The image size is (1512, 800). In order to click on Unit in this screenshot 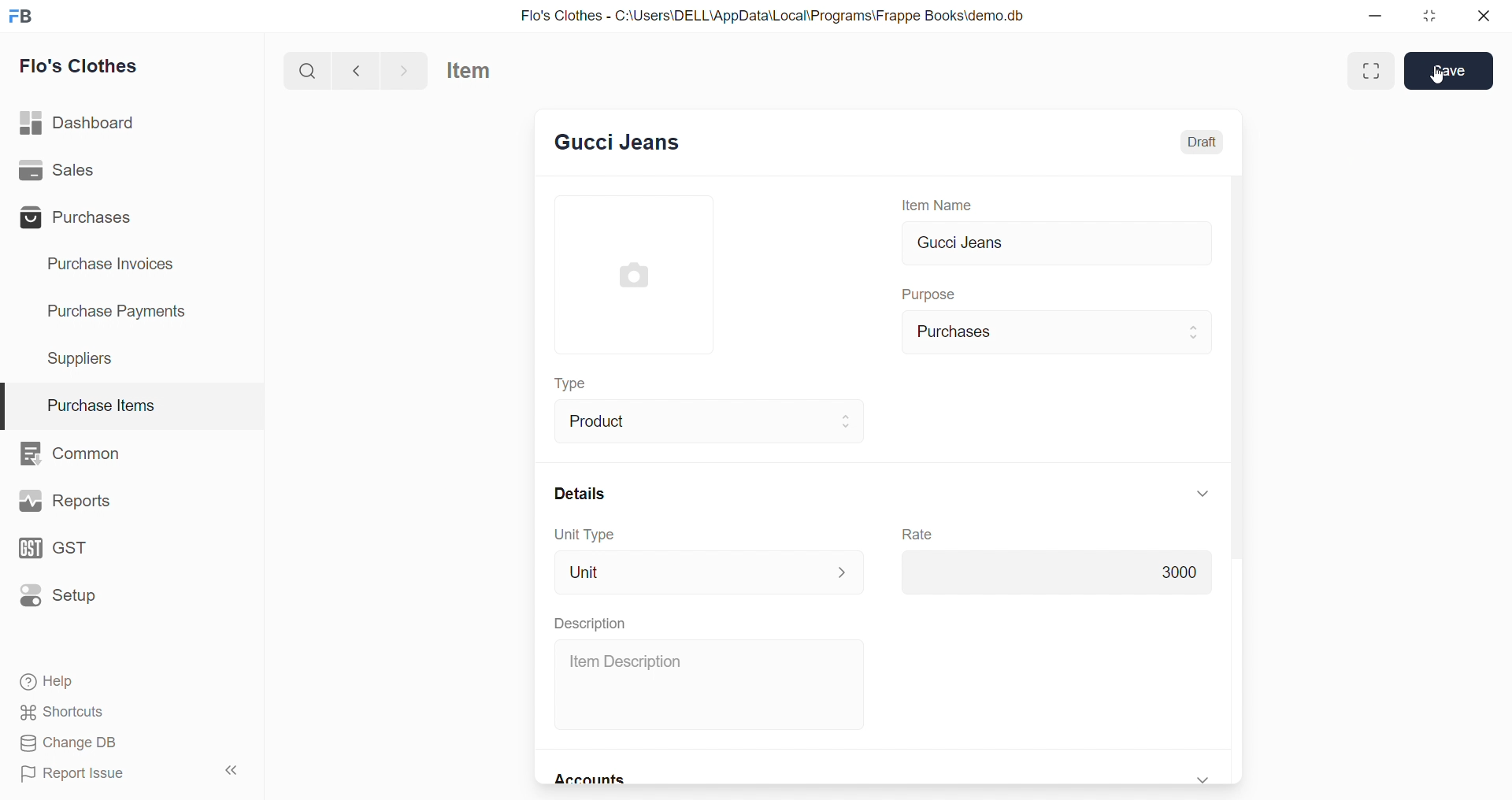, I will do `click(710, 572)`.